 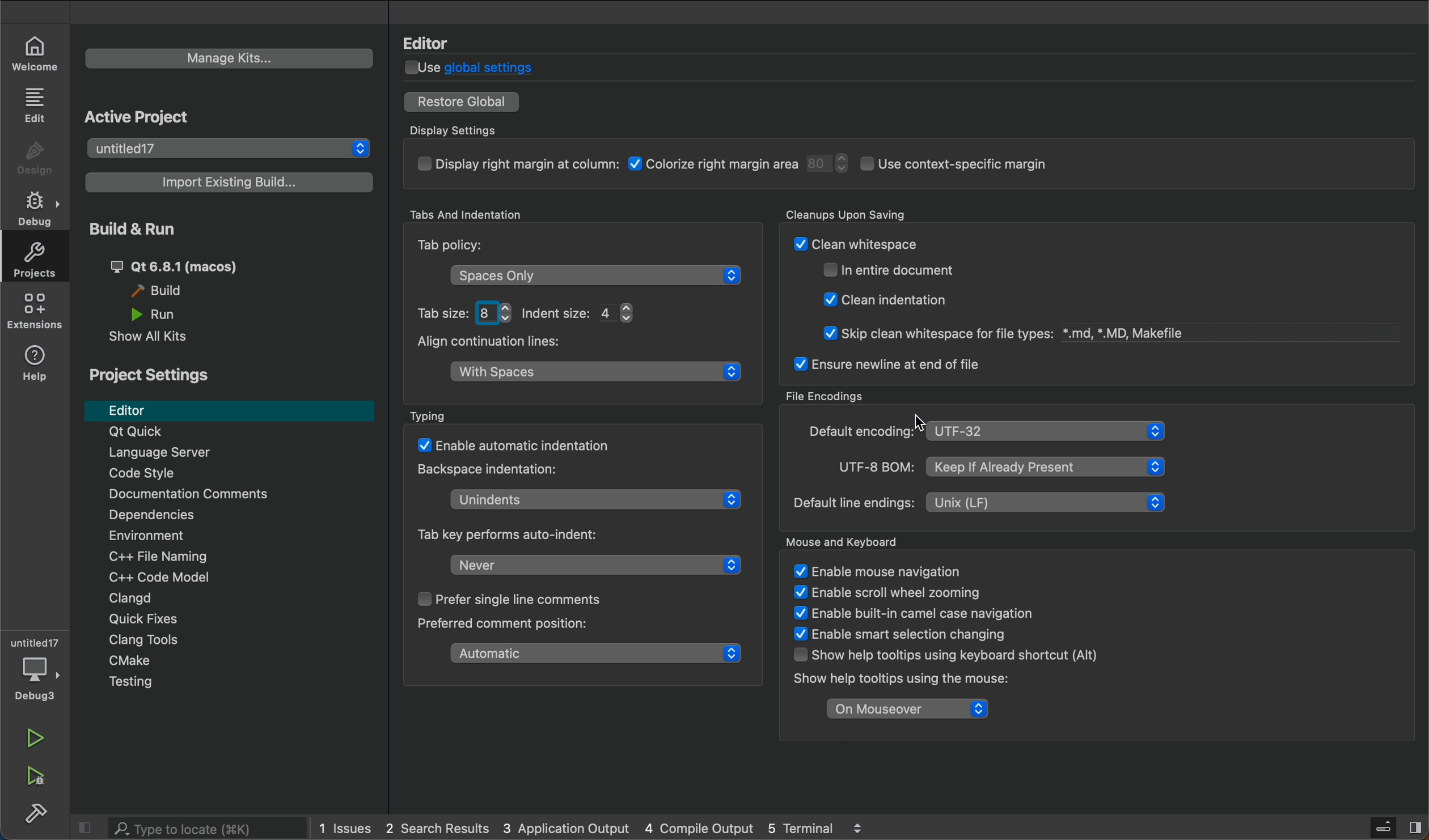 What do you see at coordinates (216, 683) in the screenshot?
I see `` at bounding box center [216, 683].